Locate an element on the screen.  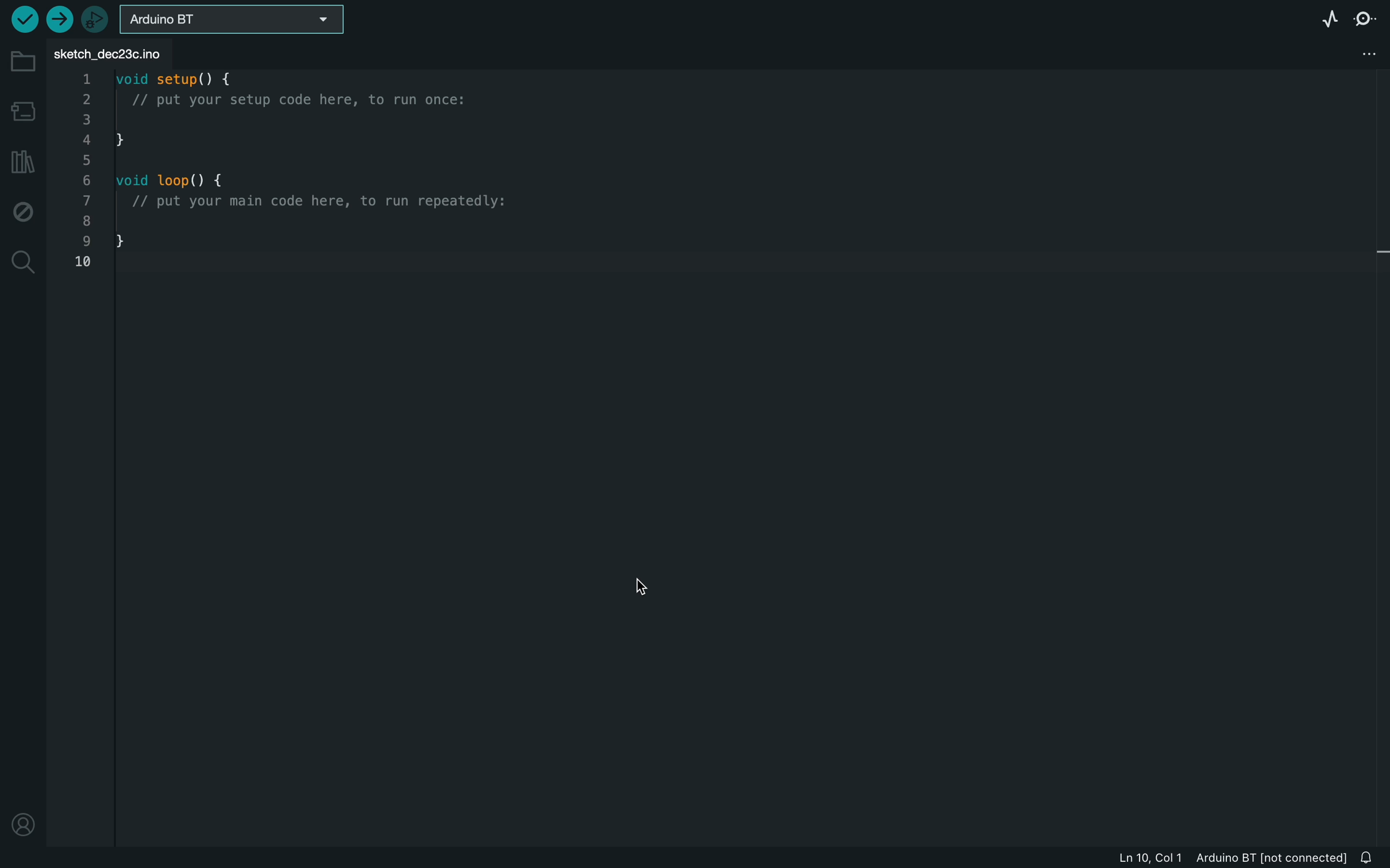
file setting is located at coordinates (1365, 53).